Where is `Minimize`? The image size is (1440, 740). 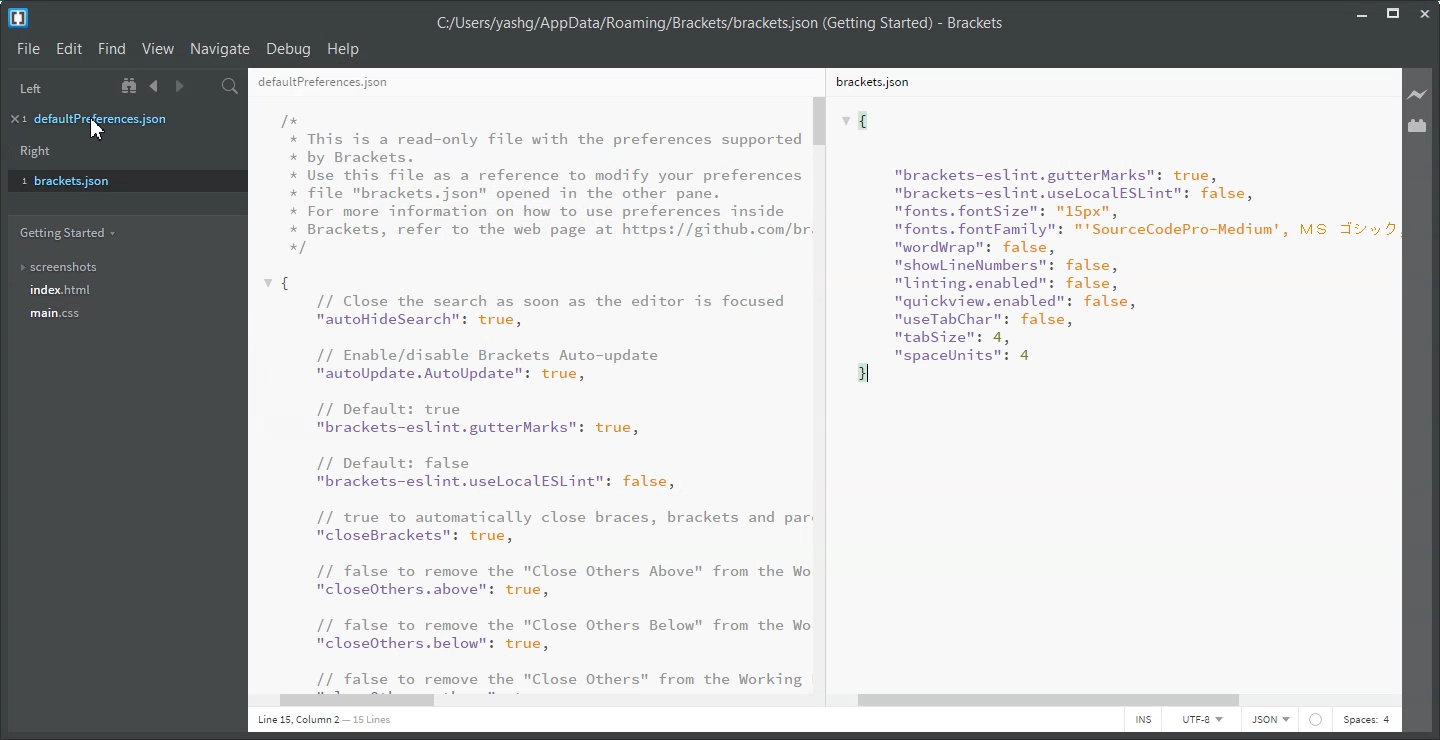 Minimize is located at coordinates (1363, 12).